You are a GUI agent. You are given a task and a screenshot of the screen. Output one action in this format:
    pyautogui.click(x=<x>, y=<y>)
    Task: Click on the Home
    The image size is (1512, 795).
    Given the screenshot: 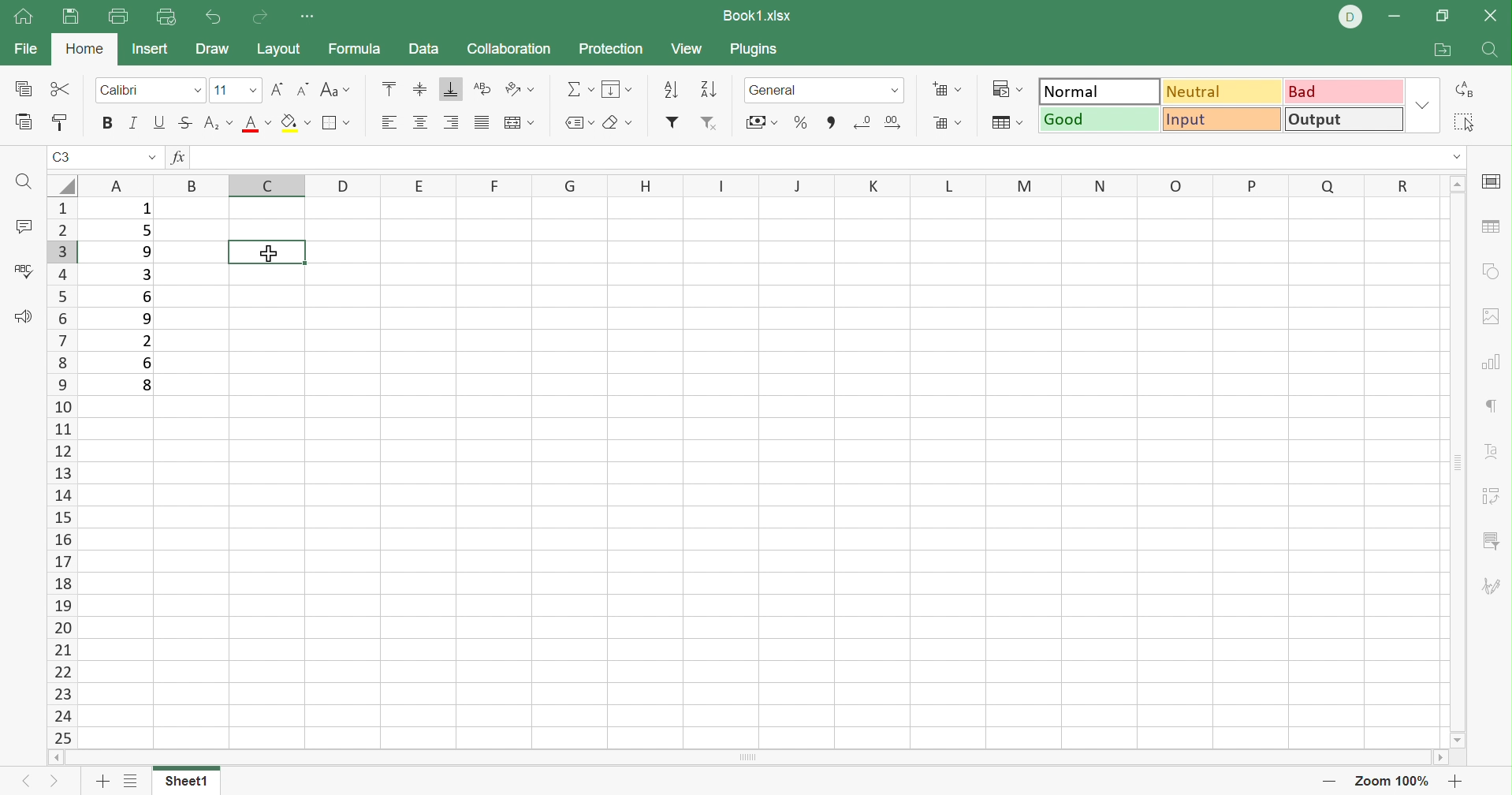 What is the action you would take?
    pyautogui.click(x=25, y=19)
    